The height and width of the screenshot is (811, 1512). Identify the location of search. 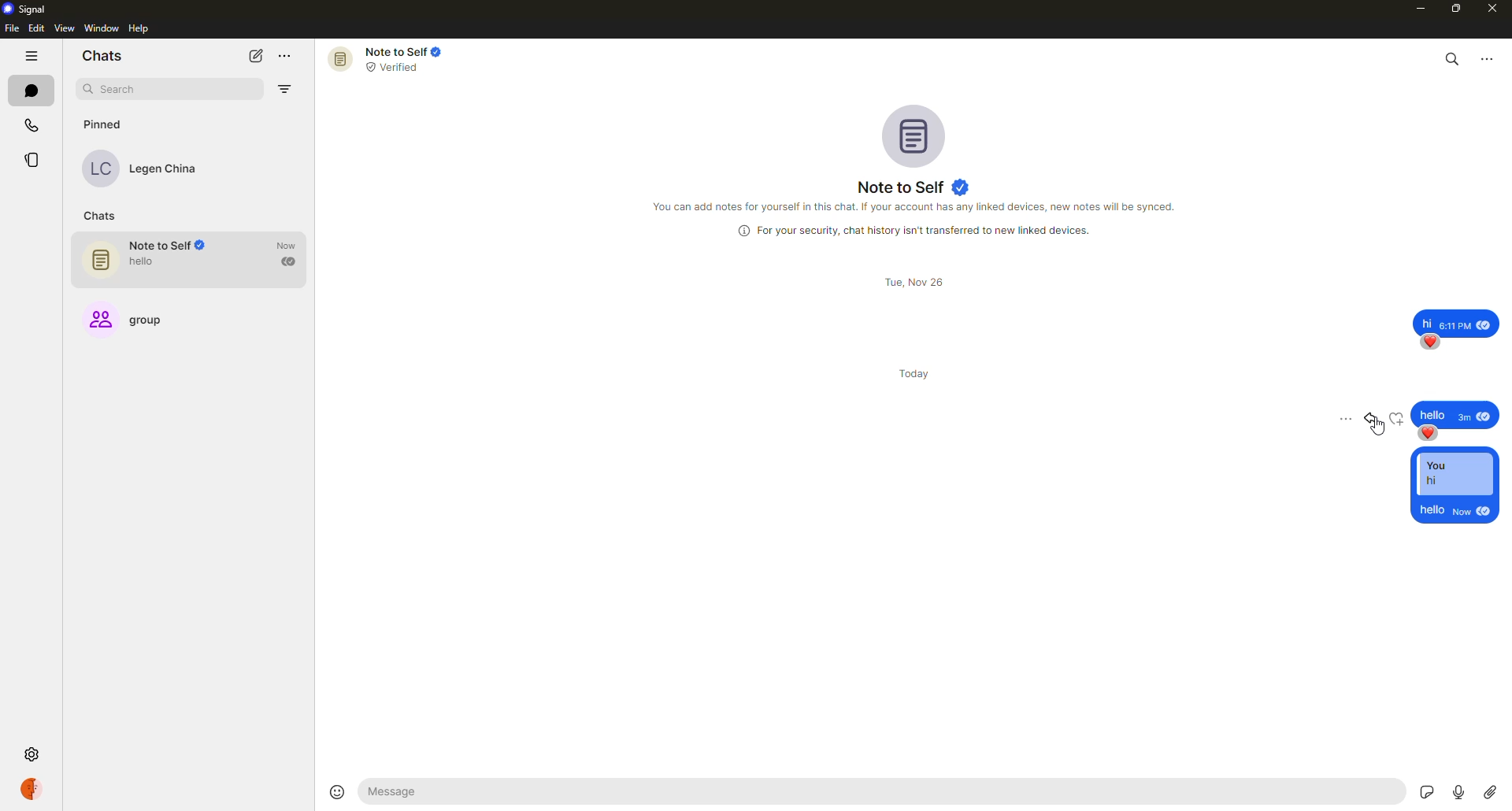
(147, 87).